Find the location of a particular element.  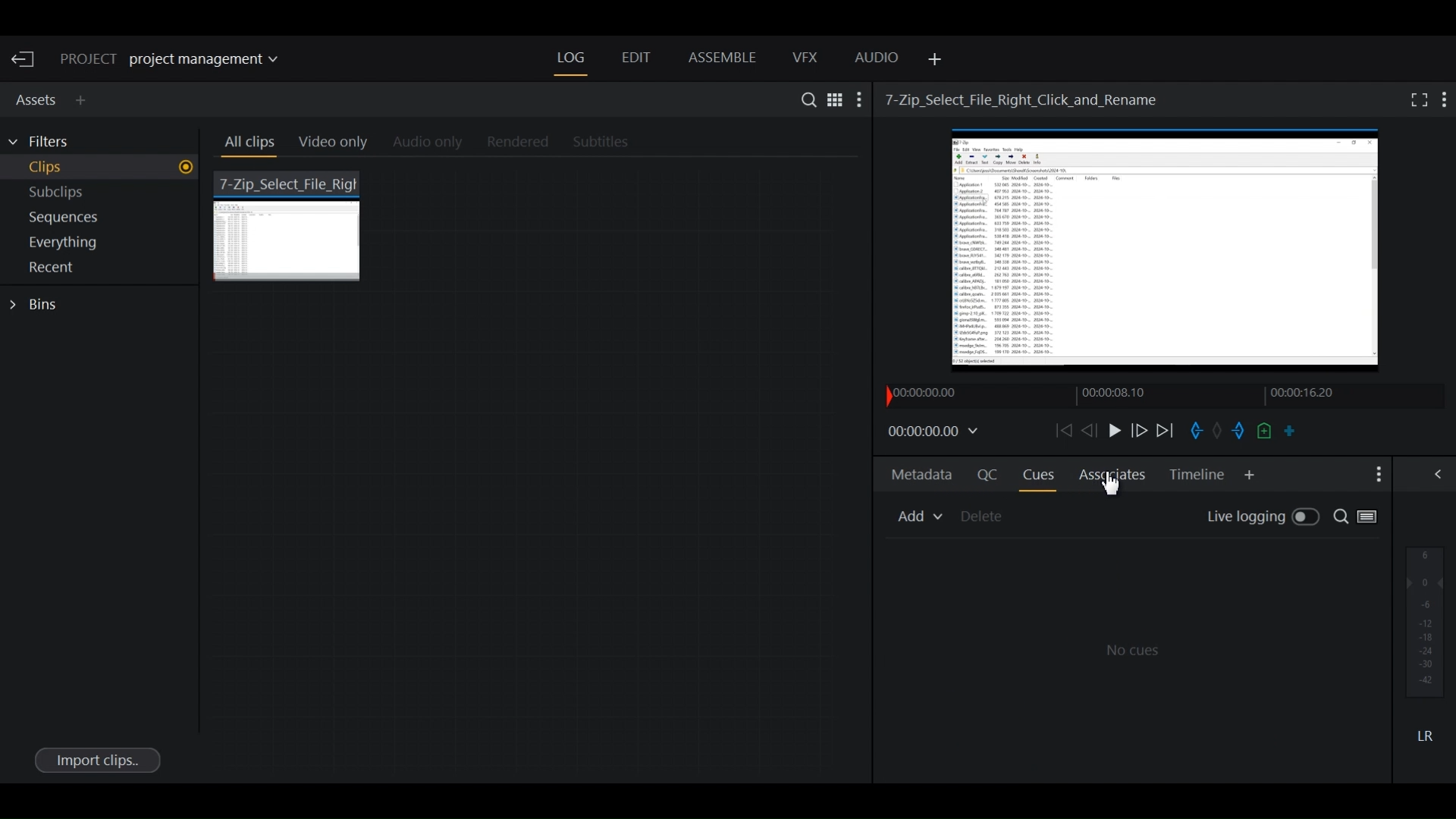

Quality Control Reports is located at coordinates (1132, 657).